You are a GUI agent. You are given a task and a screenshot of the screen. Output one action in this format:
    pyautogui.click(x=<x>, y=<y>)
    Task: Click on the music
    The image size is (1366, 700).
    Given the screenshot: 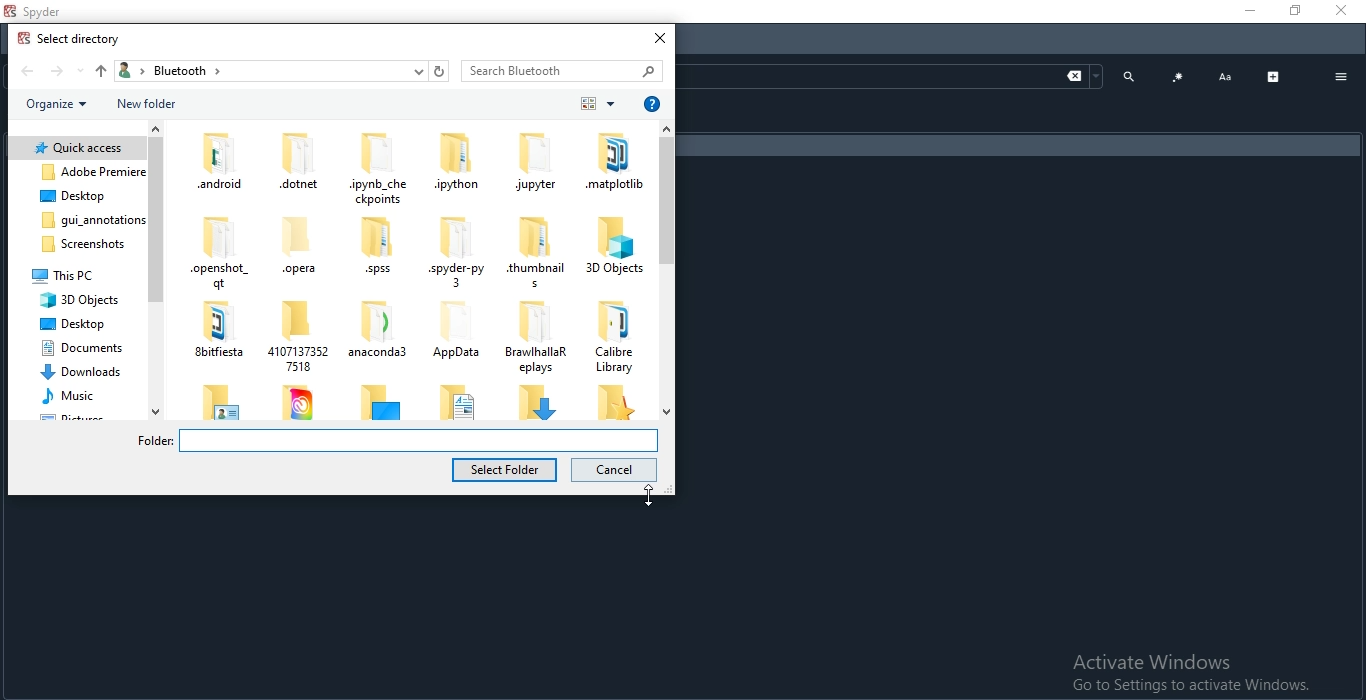 What is the action you would take?
    pyautogui.click(x=81, y=396)
    